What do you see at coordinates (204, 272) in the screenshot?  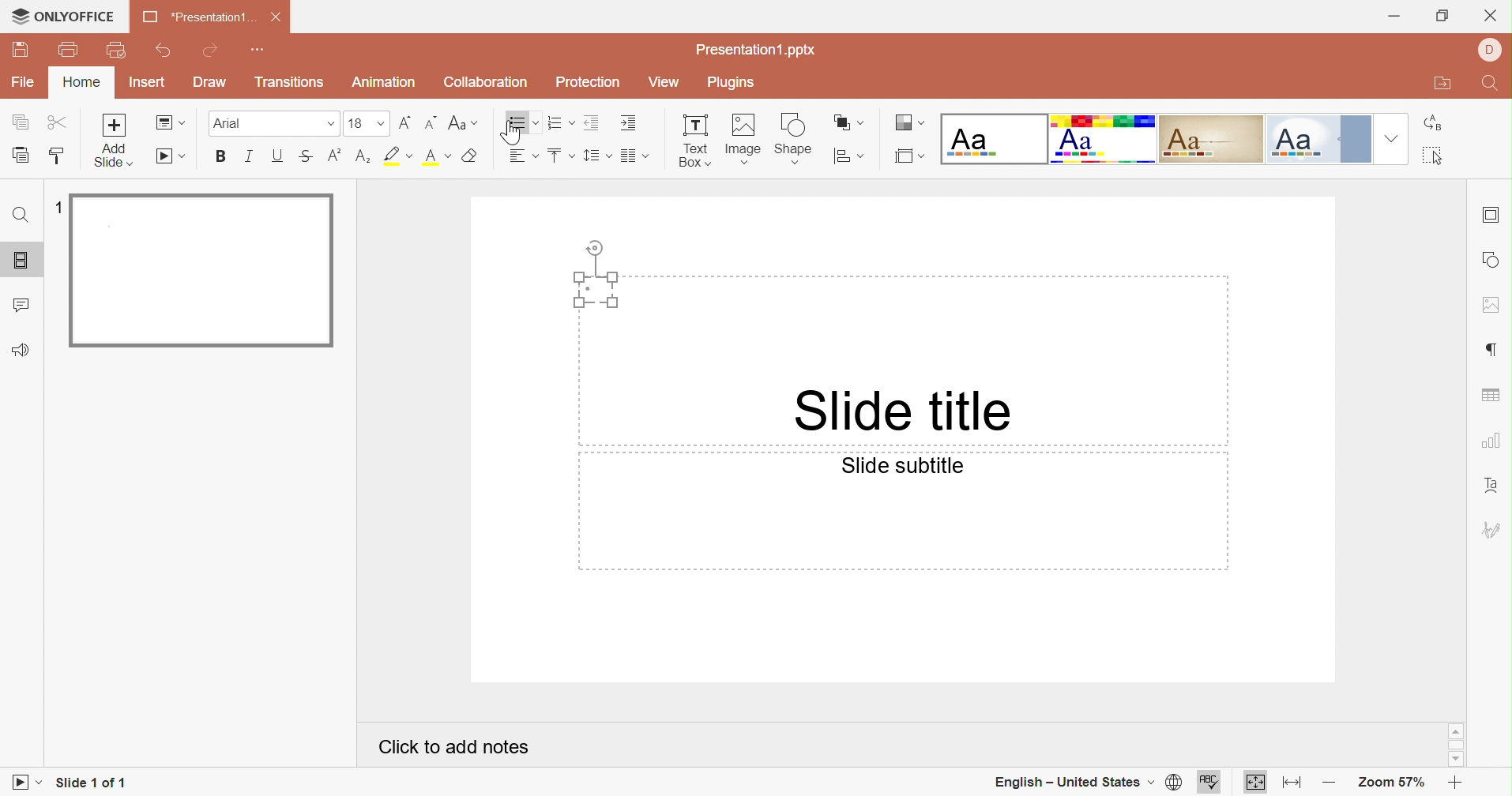 I see `Slide` at bounding box center [204, 272].